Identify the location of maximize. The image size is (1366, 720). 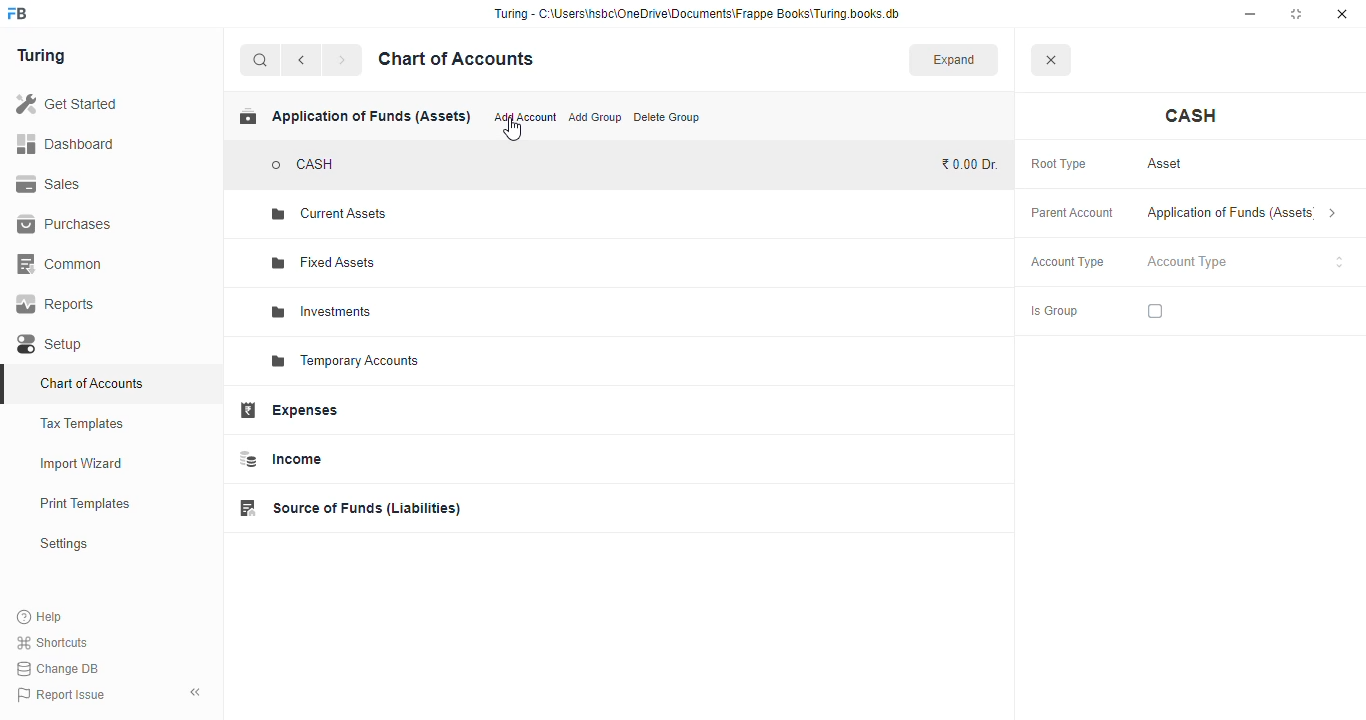
(1296, 14).